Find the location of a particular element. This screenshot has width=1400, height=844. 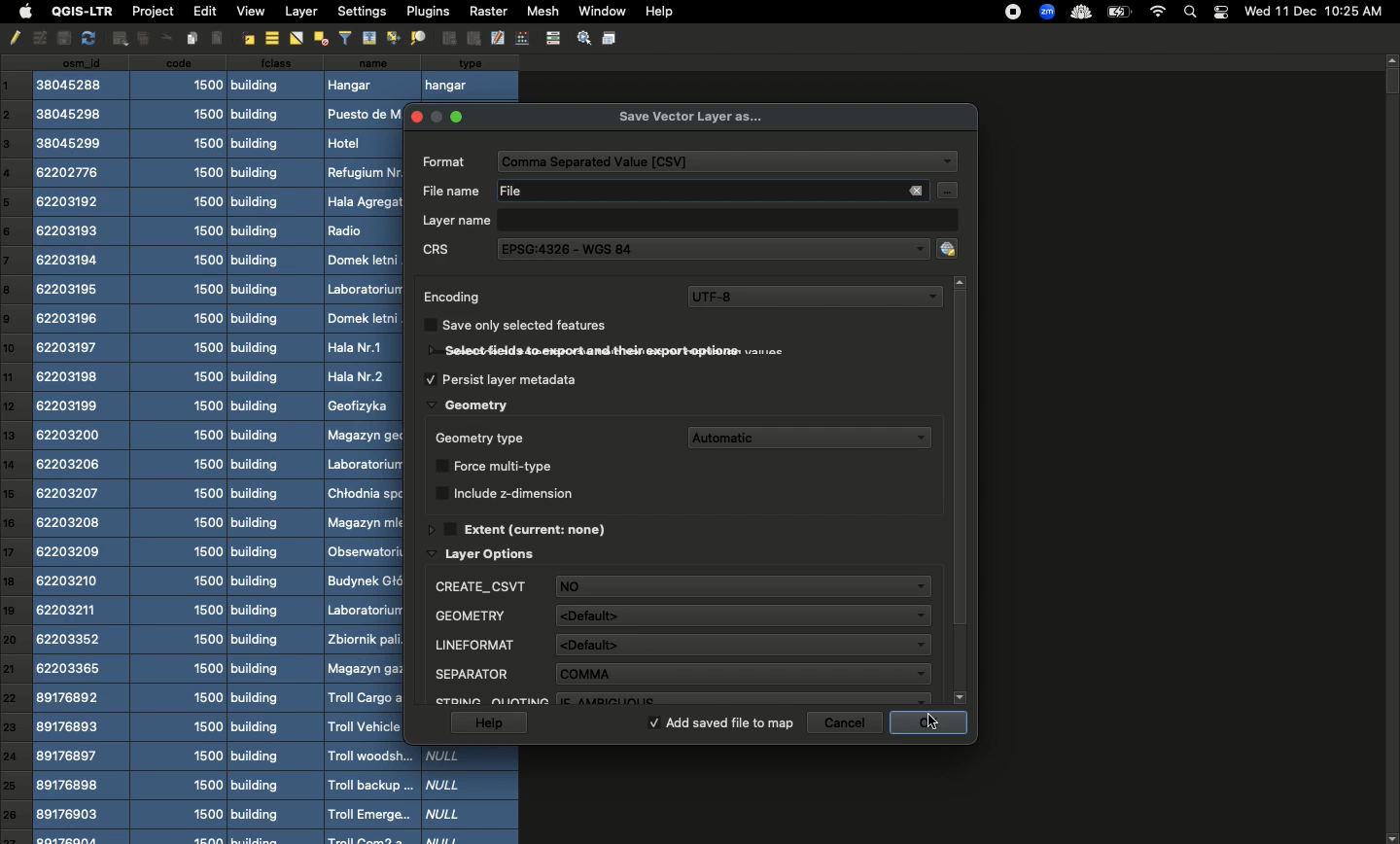

Ungroup Objects is located at coordinates (472, 39).